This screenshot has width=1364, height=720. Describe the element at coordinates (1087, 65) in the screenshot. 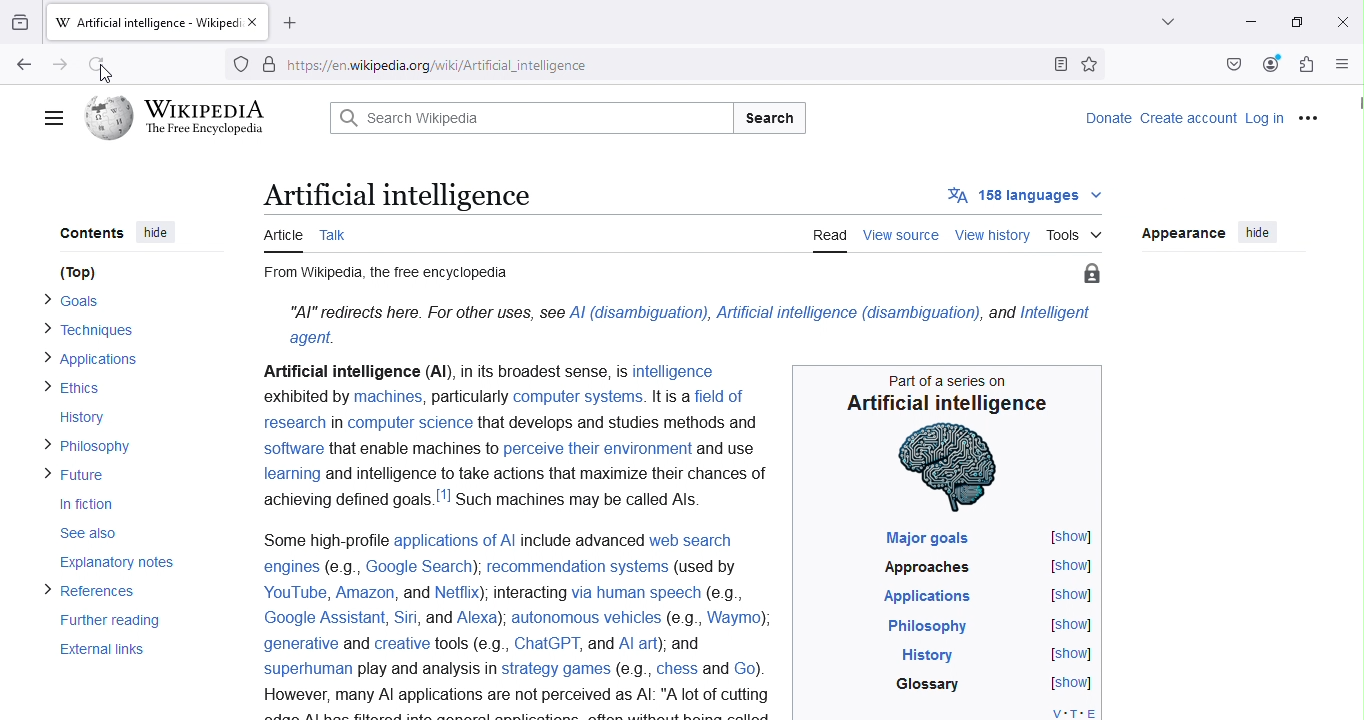

I see `Bookmark` at that location.